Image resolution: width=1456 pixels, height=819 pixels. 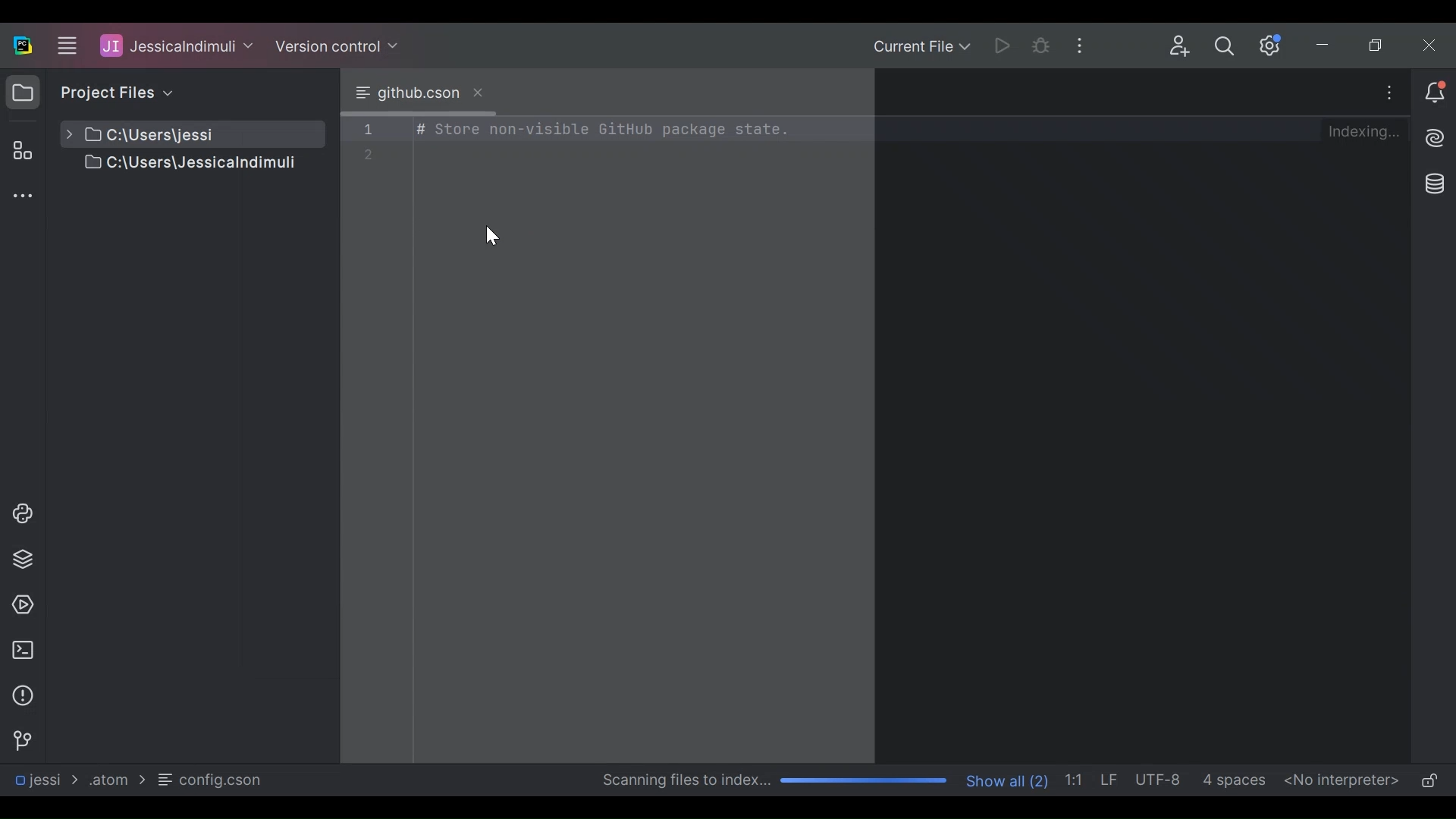 I want to click on Notification, so click(x=1433, y=91).